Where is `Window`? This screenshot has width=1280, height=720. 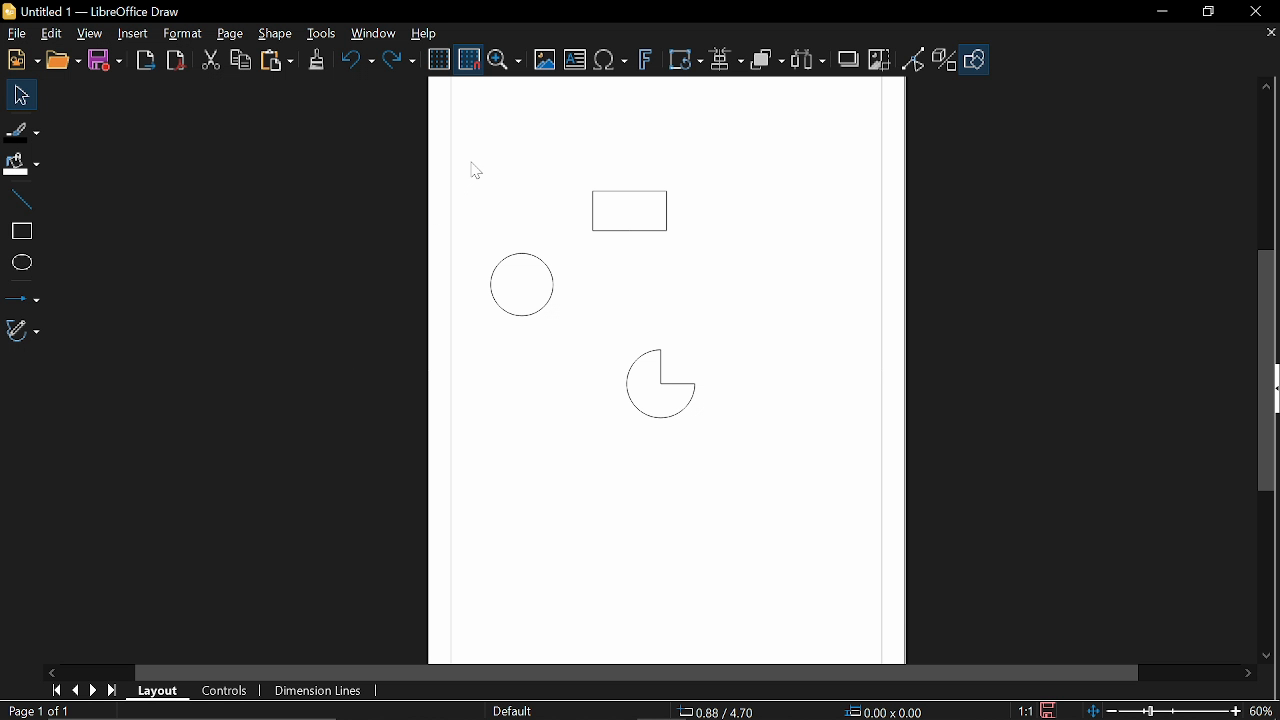 Window is located at coordinates (371, 34).